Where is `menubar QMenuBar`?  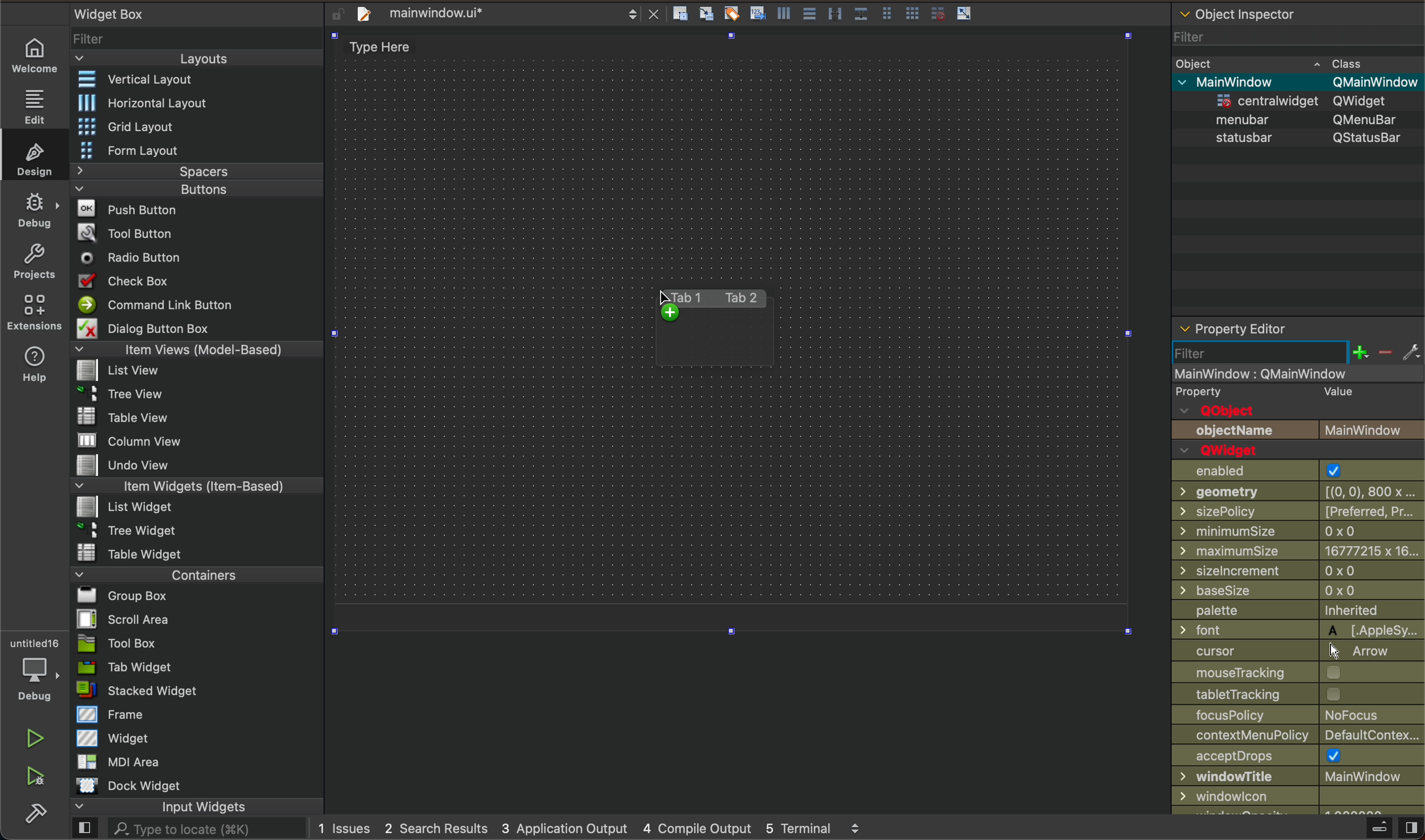
menubar QMenuBar is located at coordinates (1295, 118).